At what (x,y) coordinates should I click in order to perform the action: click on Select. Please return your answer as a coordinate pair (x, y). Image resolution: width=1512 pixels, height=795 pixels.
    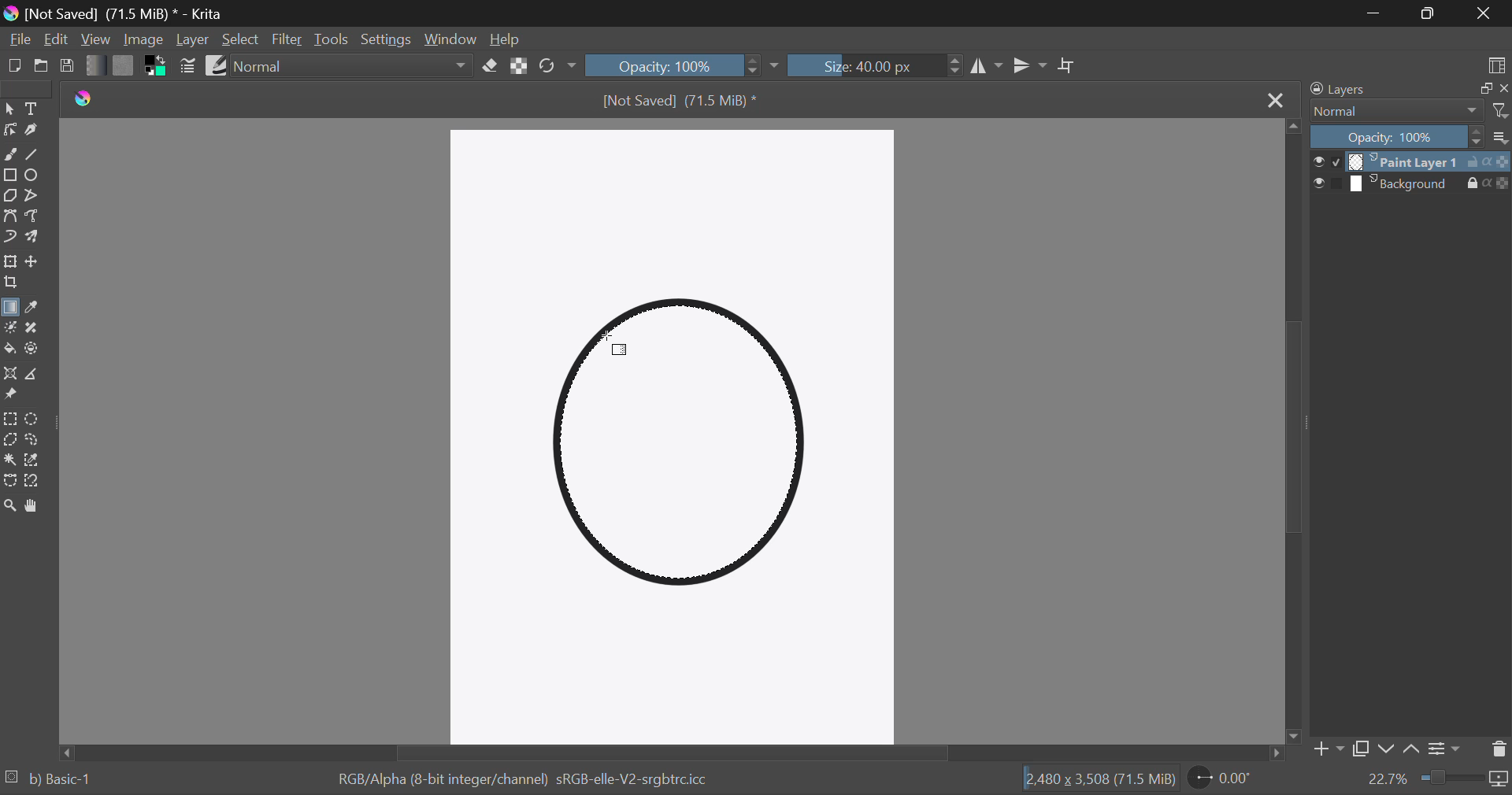
    Looking at the image, I should click on (10, 109).